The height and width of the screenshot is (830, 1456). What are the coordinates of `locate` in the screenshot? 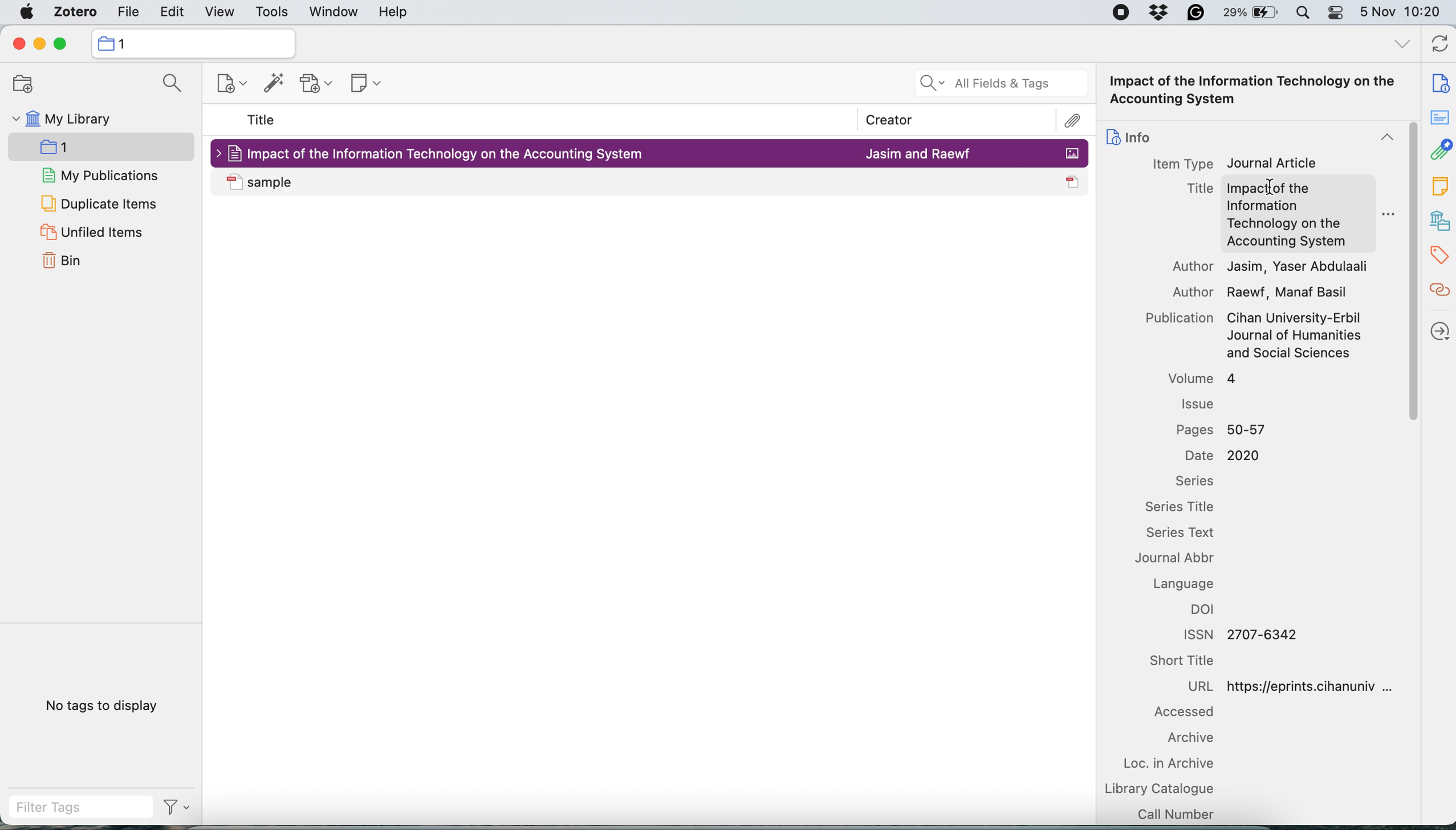 It's located at (1438, 332).